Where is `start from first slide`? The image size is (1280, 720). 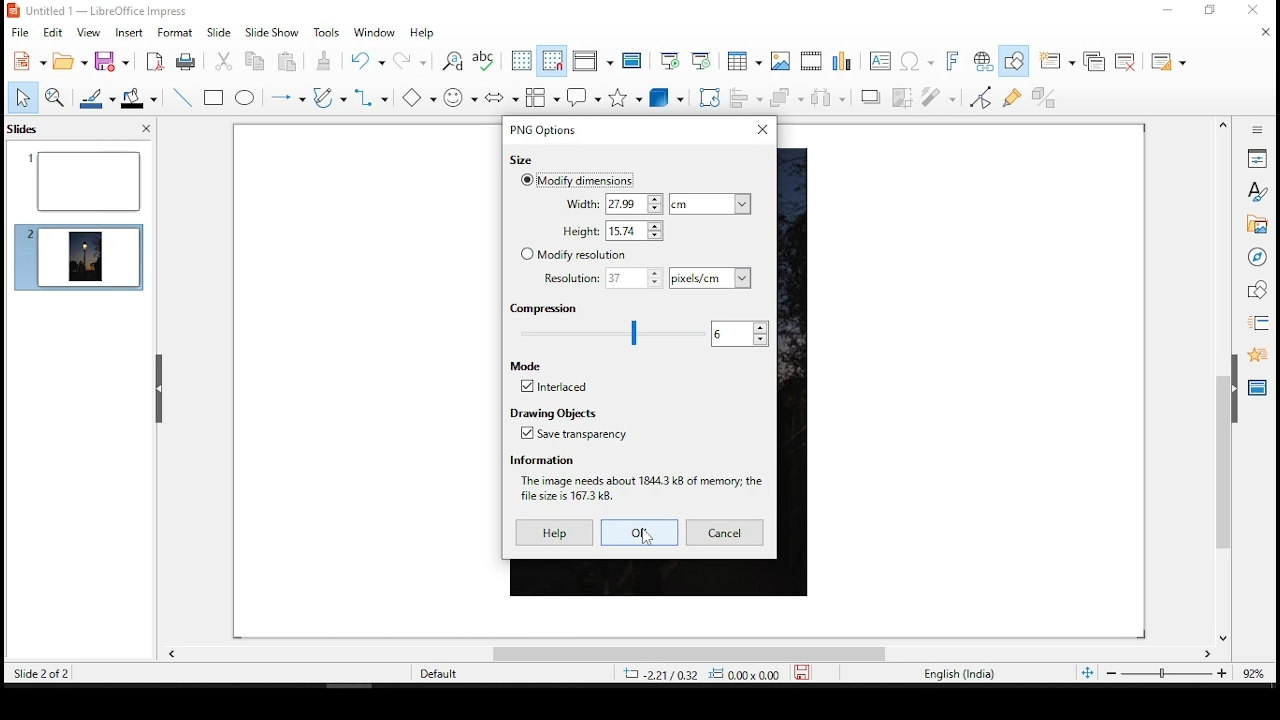 start from first slide is located at coordinates (670, 60).